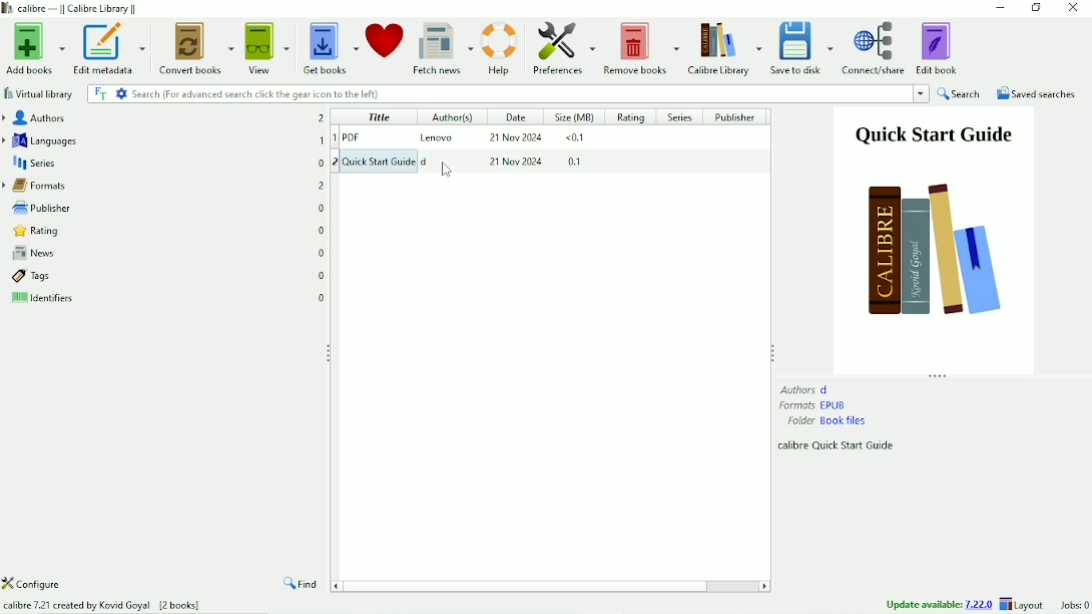  I want to click on PDF, so click(373, 138).